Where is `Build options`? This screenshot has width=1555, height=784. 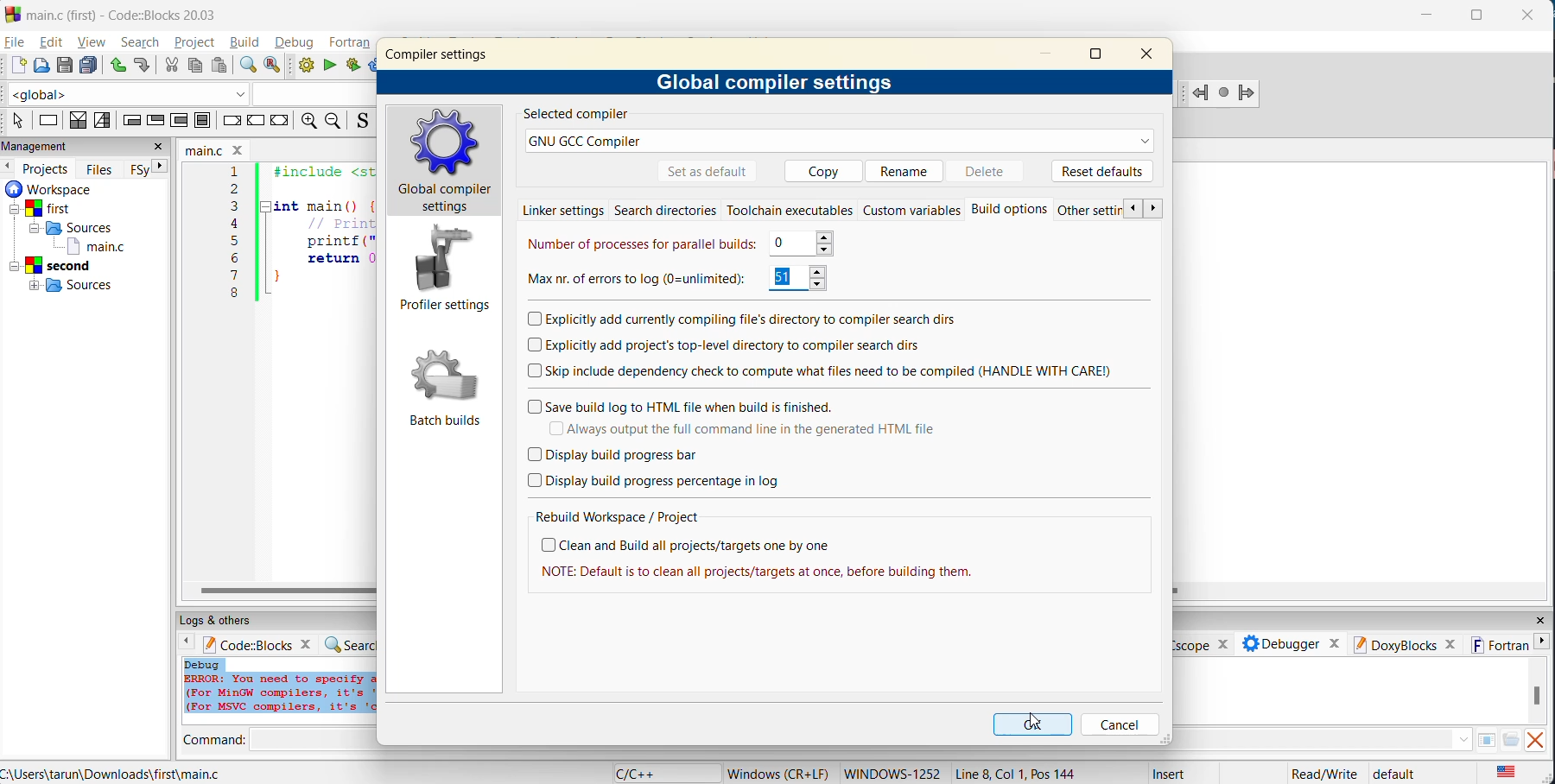 Build options is located at coordinates (1010, 209).